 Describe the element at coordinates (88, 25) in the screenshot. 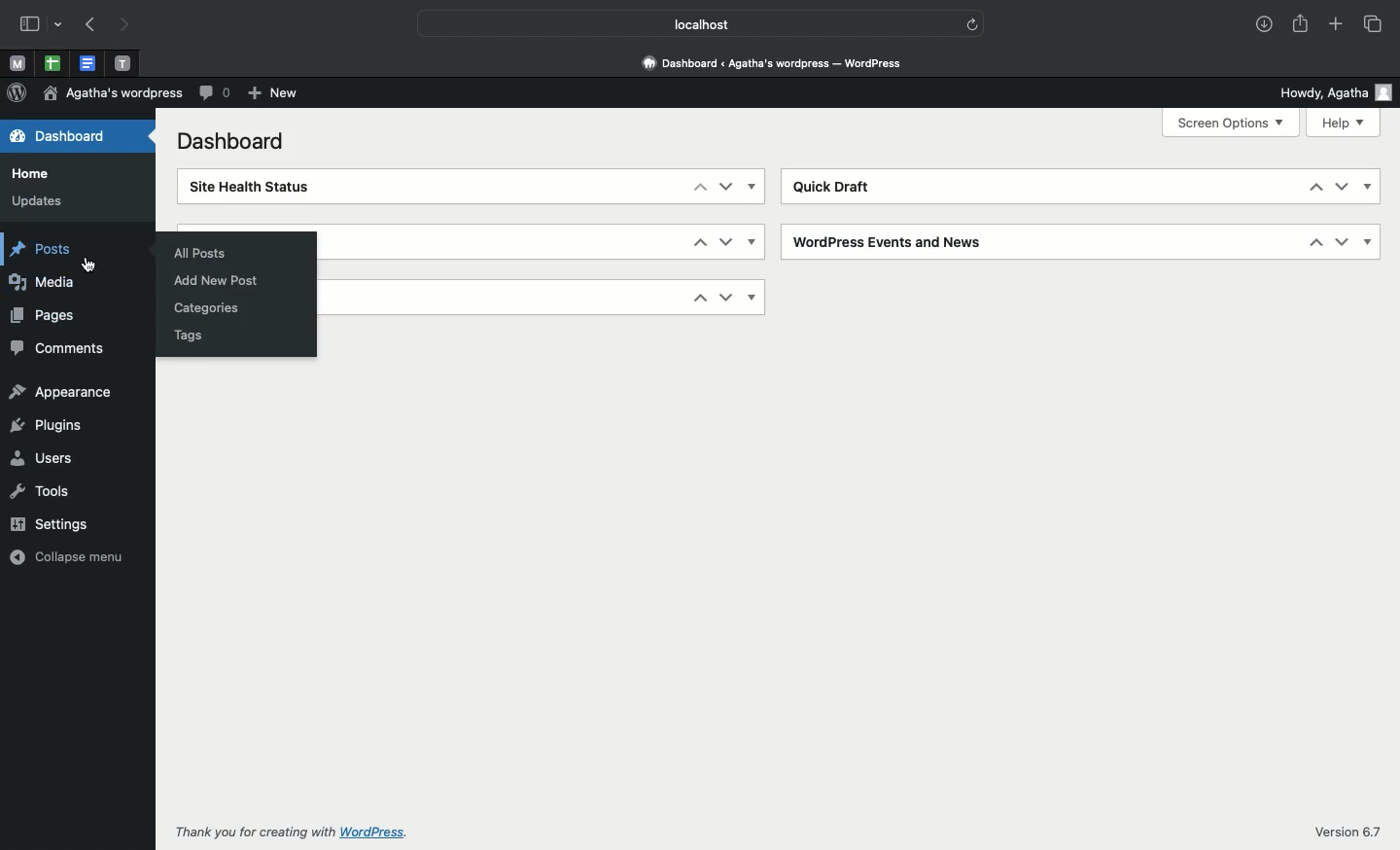

I see `Previous page` at that location.